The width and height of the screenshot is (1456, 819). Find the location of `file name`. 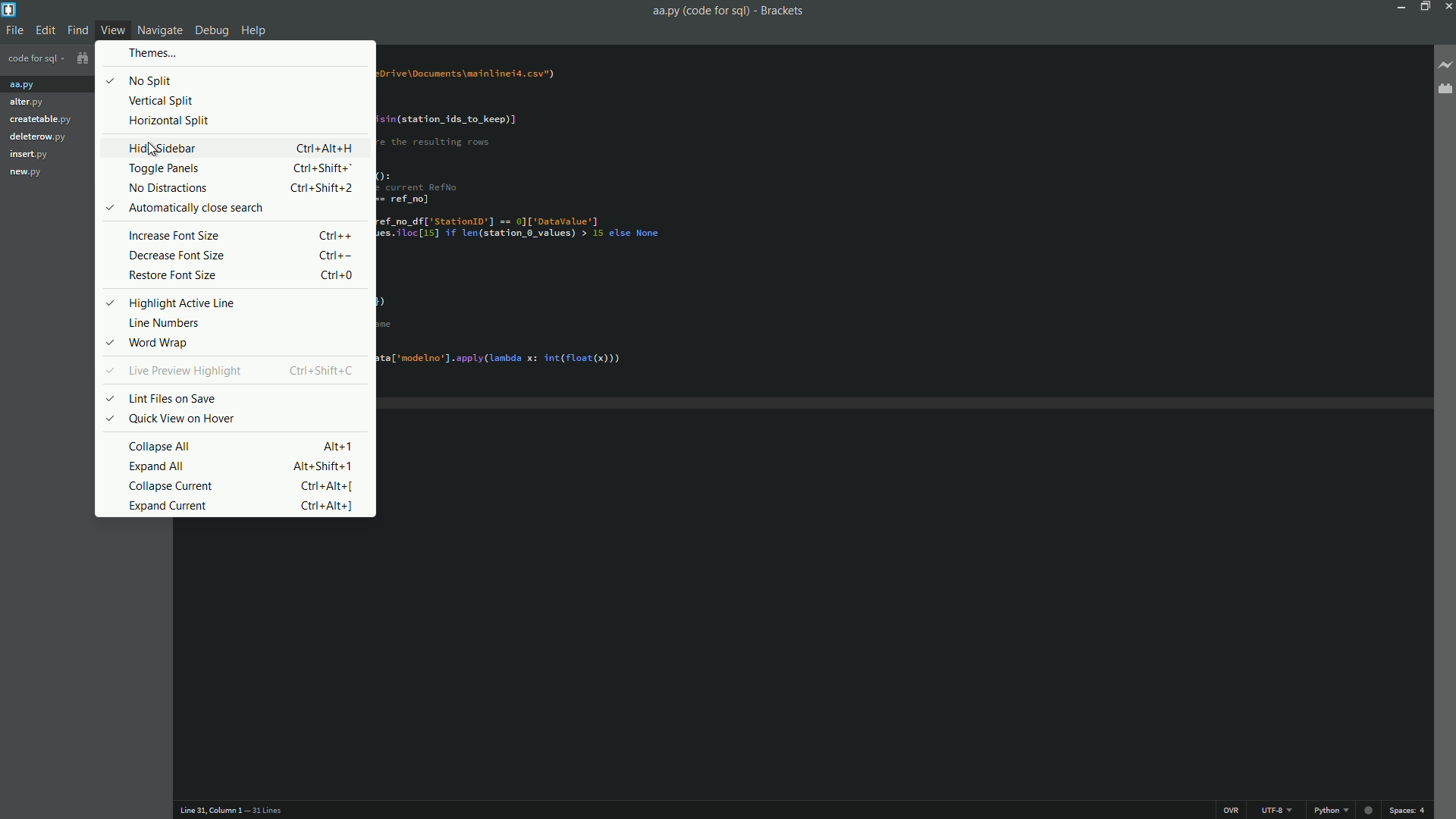

file name is located at coordinates (701, 11).